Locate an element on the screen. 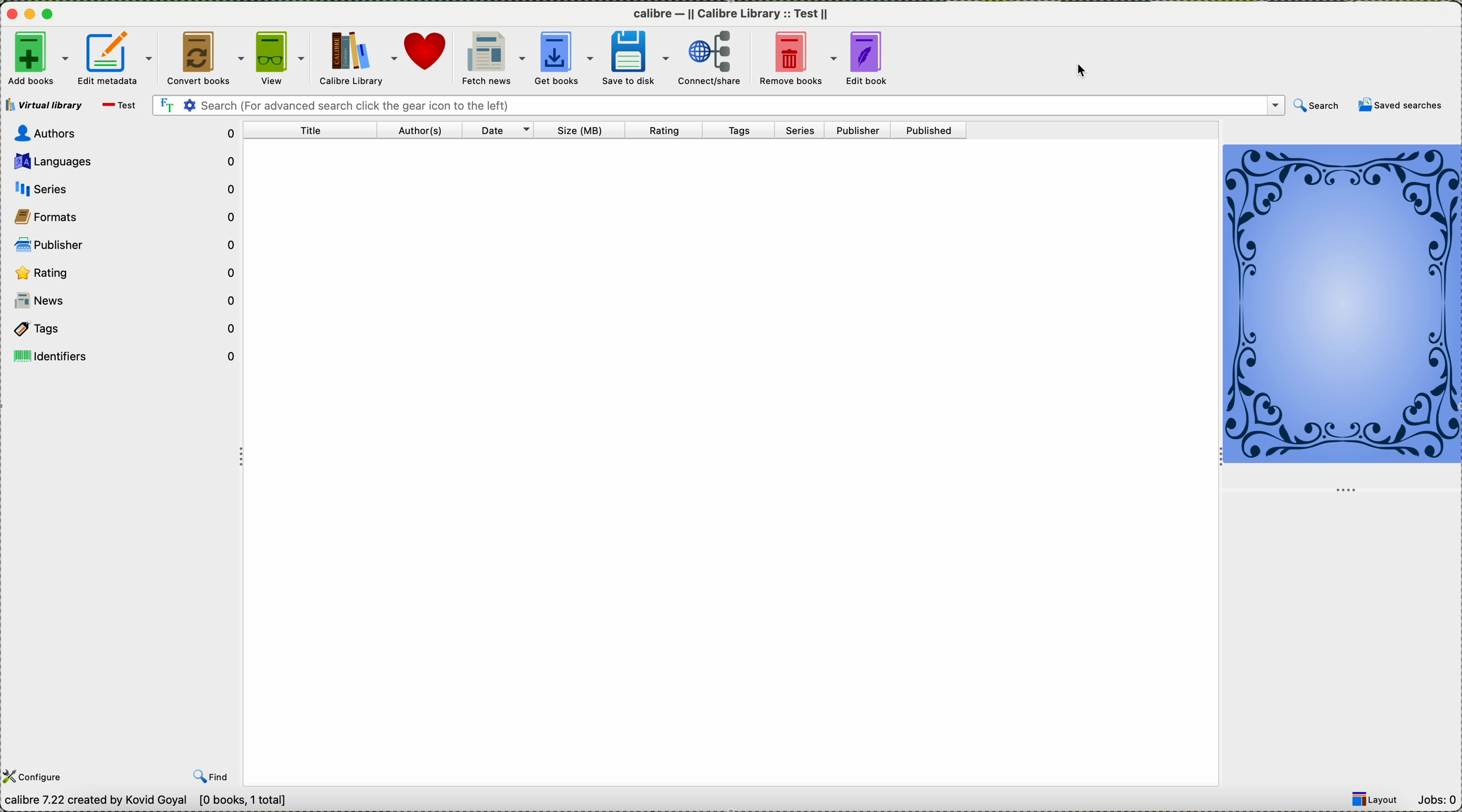 Image resolution: width=1462 pixels, height=812 pixels. save to disk is located at coordinates (640, 57).